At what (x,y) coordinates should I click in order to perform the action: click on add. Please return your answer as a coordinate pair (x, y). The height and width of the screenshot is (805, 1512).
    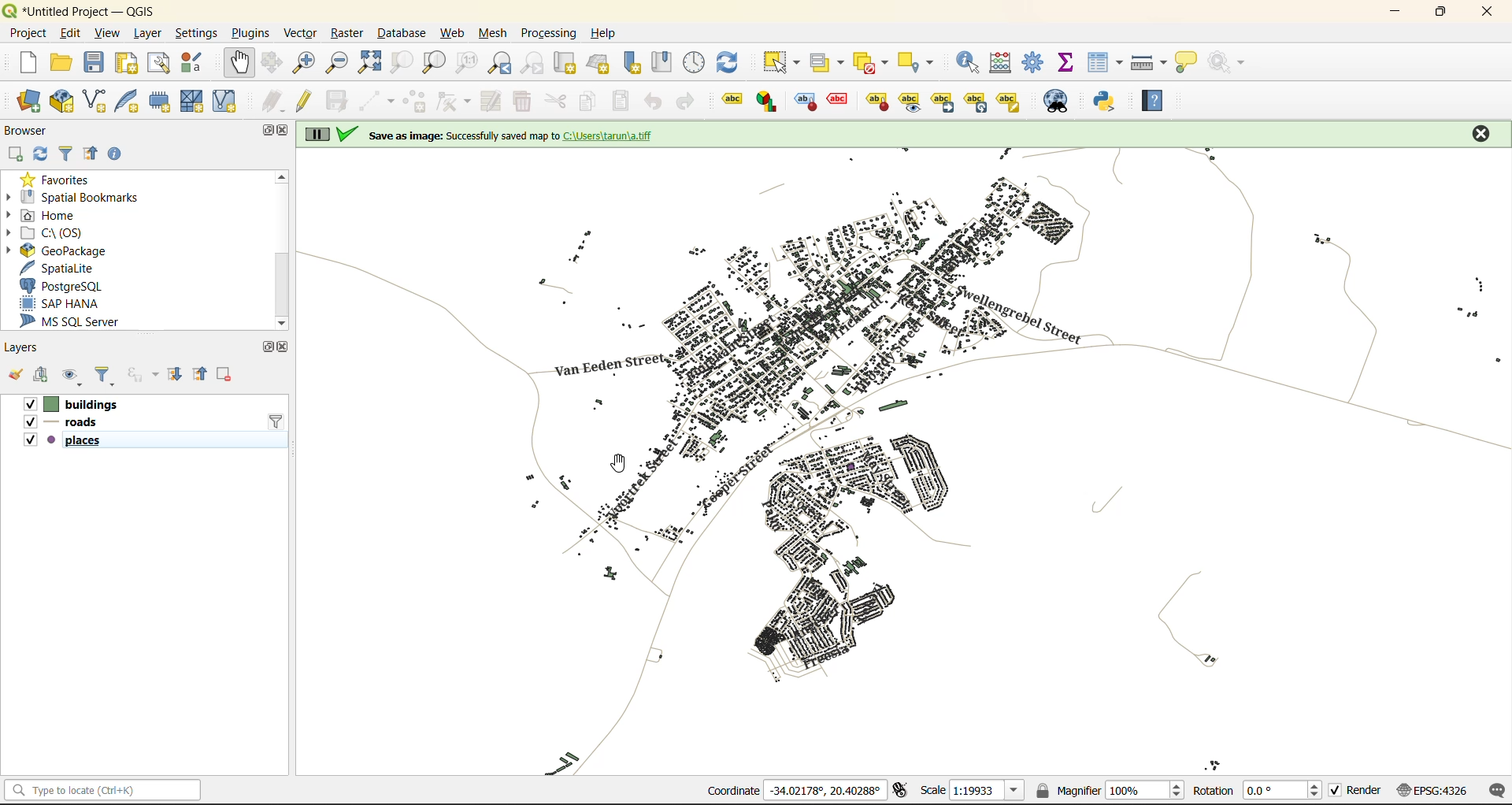
    Looking at the image, I should click on (39, 376).